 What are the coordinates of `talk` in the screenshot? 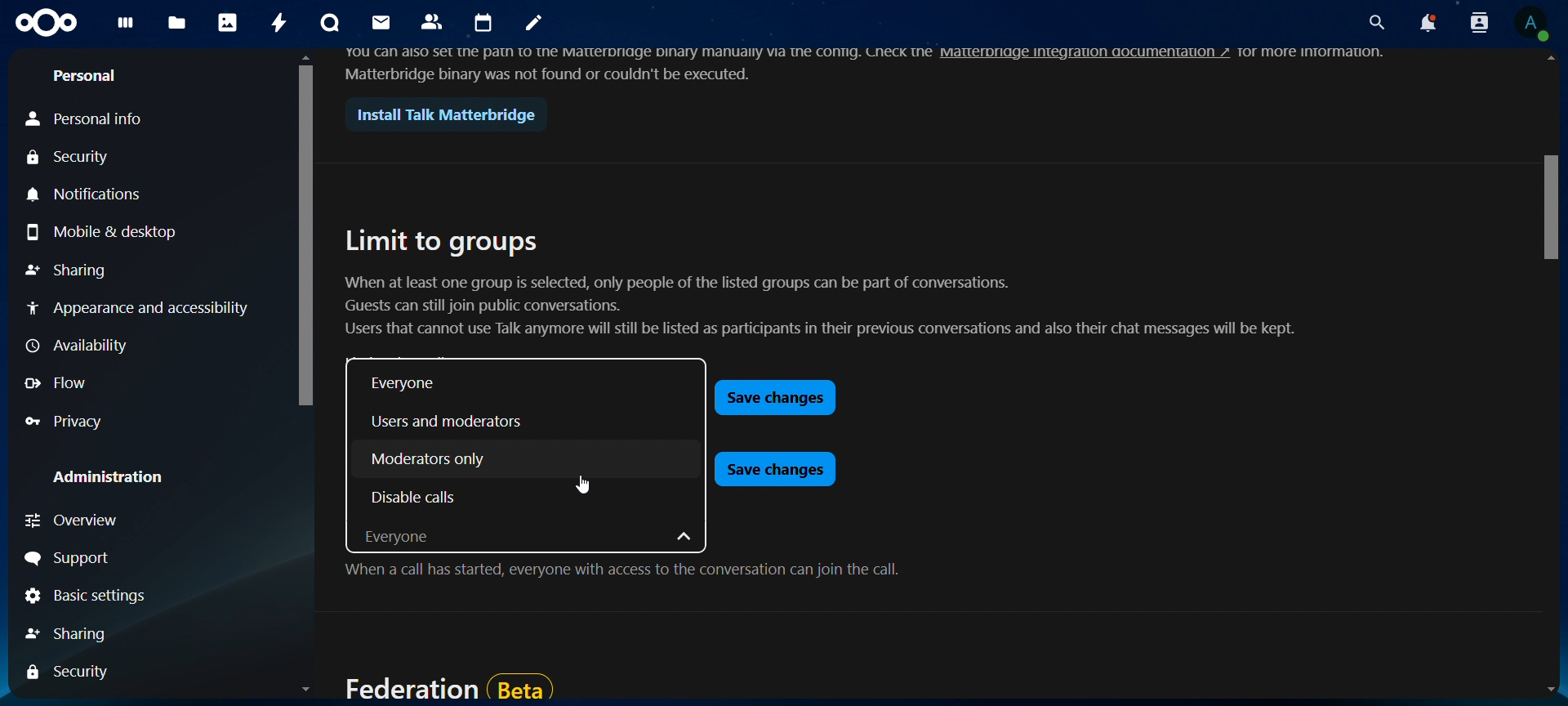 It's located at (328, 23).